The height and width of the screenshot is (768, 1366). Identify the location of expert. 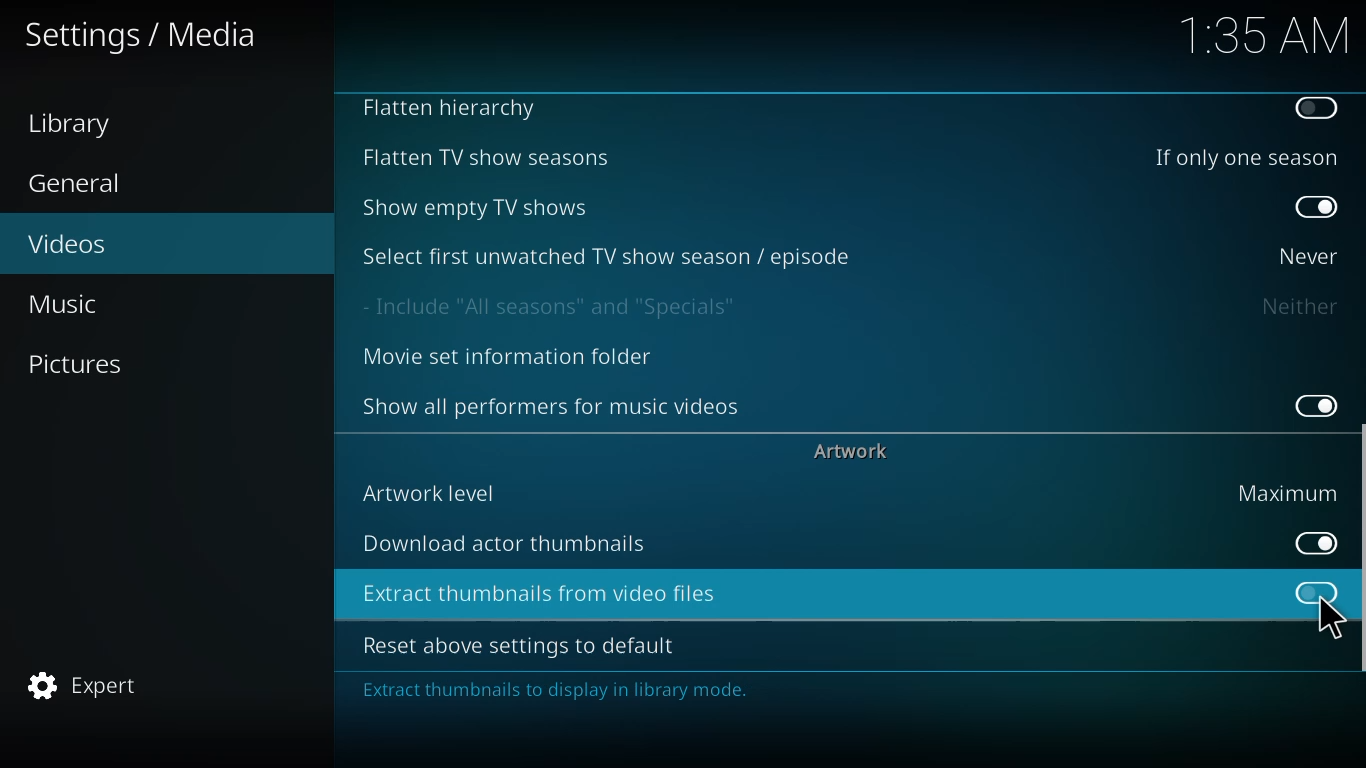
(85, 680).